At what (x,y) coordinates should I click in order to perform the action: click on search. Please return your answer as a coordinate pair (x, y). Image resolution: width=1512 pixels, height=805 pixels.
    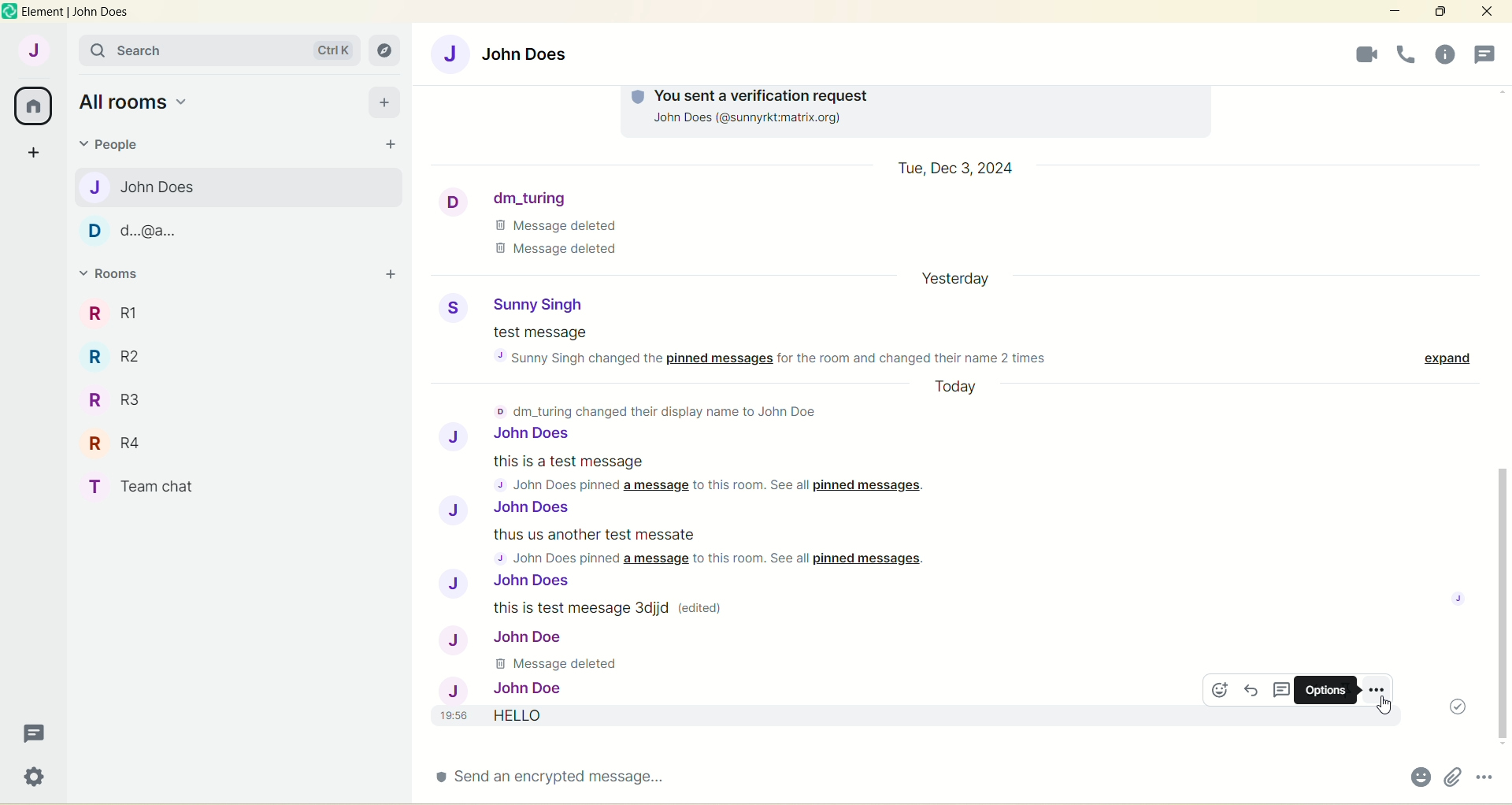
    Looking at the image, I should click on (183, 51).